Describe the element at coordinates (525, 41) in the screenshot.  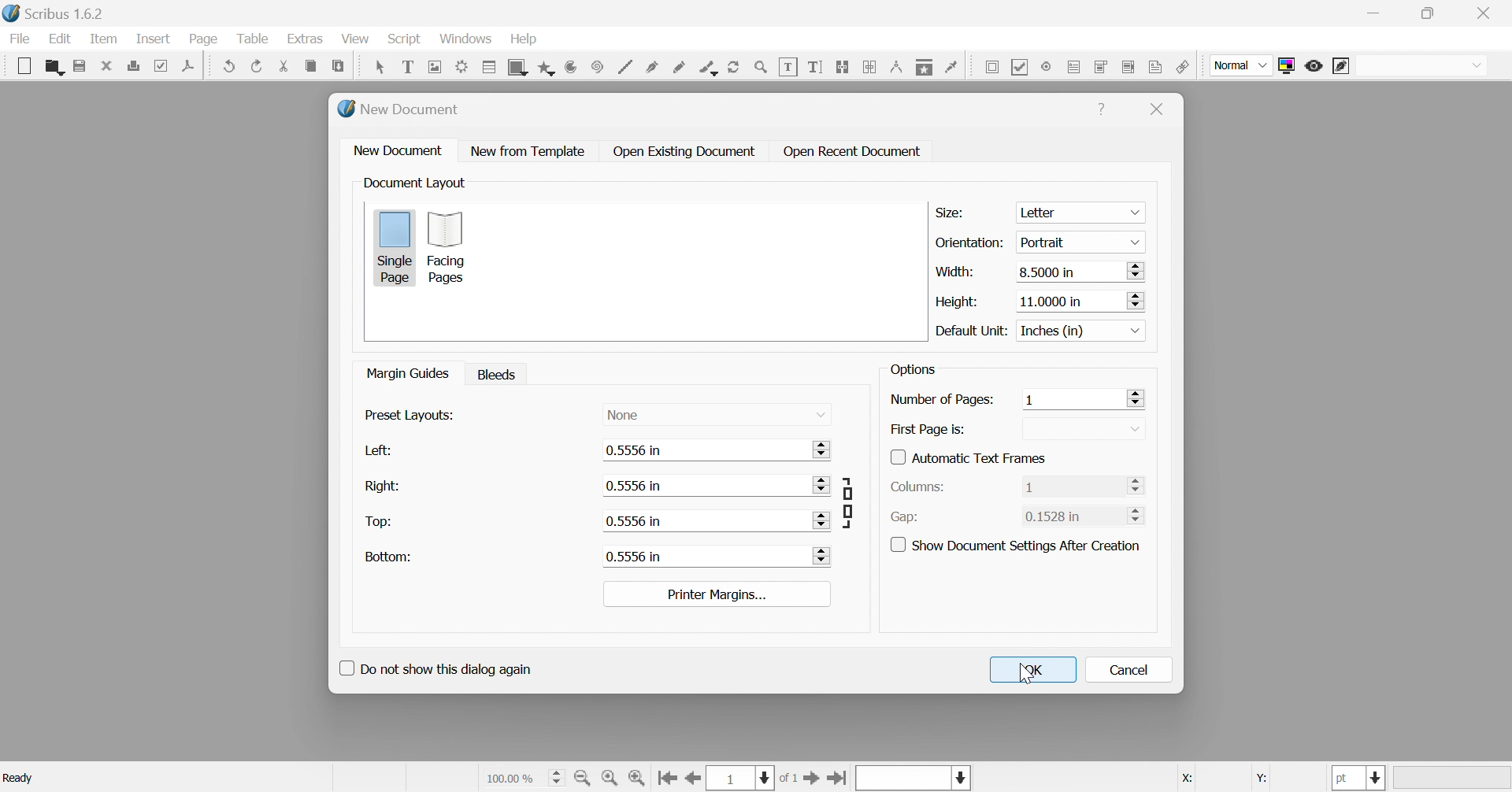
I see `help` at that location.